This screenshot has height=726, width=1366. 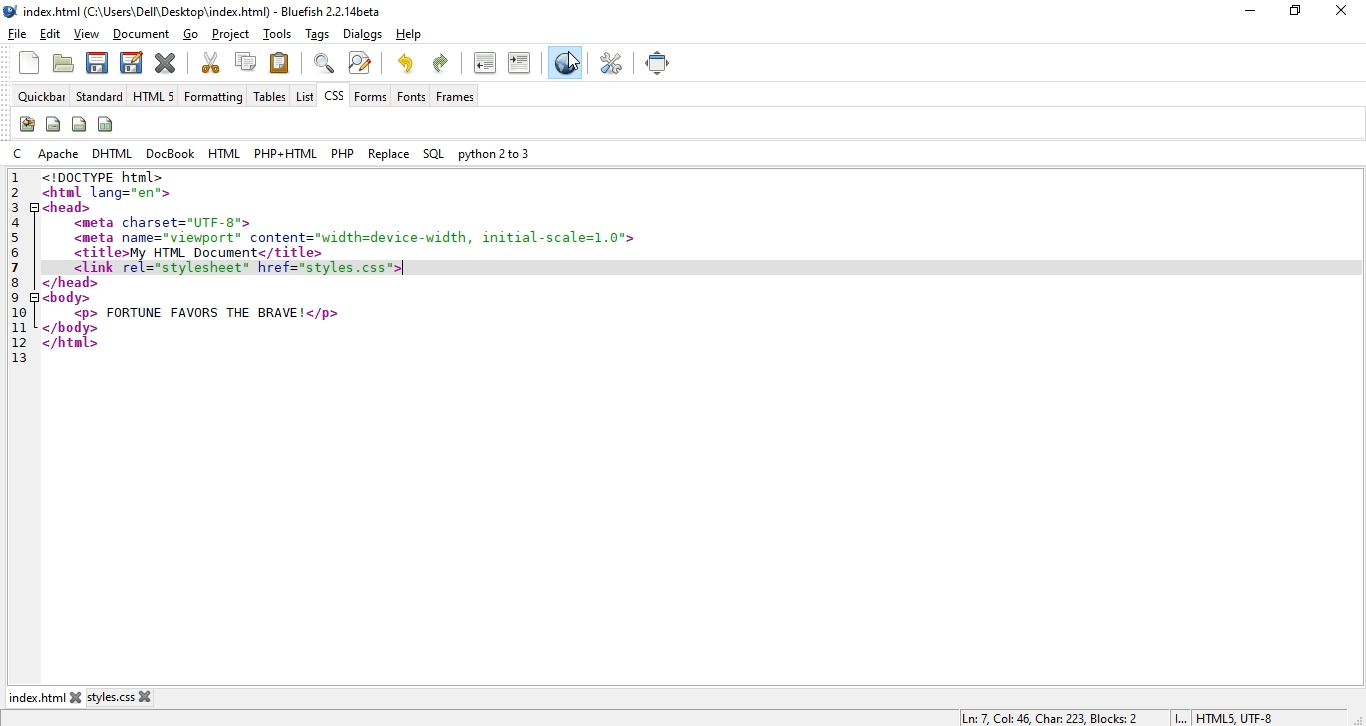 I want to click on save current file, so click(x=96, y=61).